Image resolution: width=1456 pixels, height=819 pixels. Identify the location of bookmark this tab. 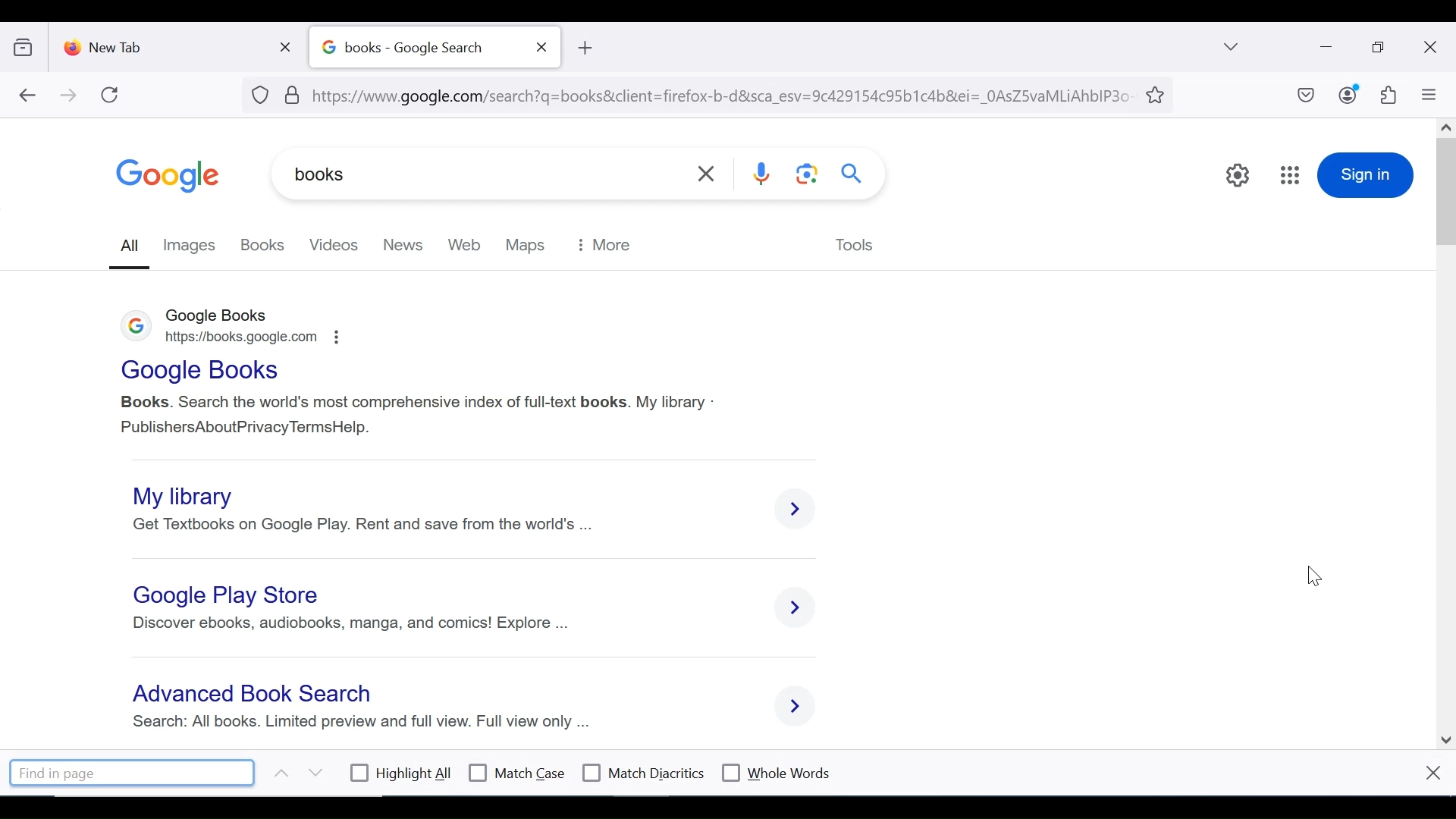
(1158, 93).